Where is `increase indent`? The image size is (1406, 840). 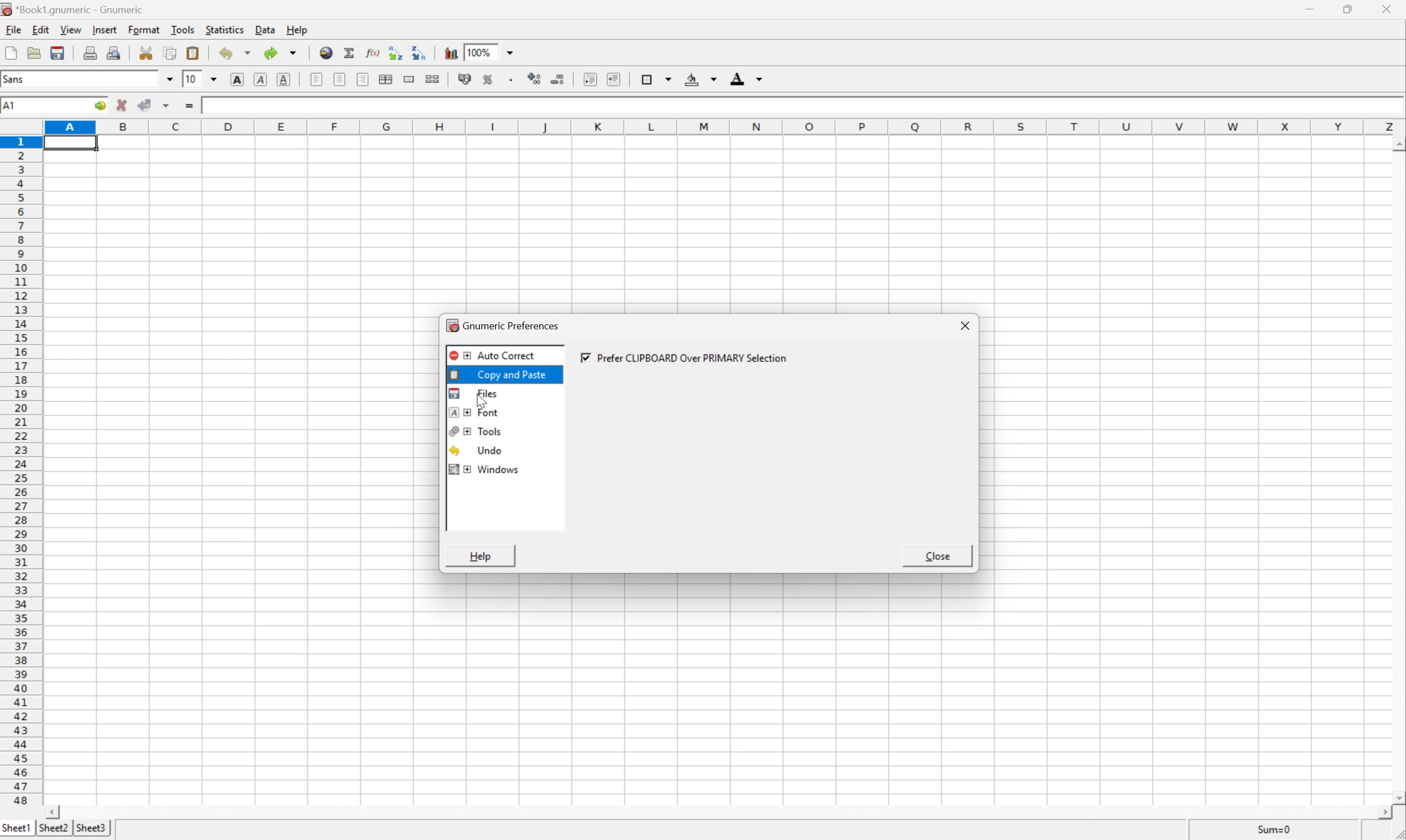
increase indent is located at coordinates (614, 79).